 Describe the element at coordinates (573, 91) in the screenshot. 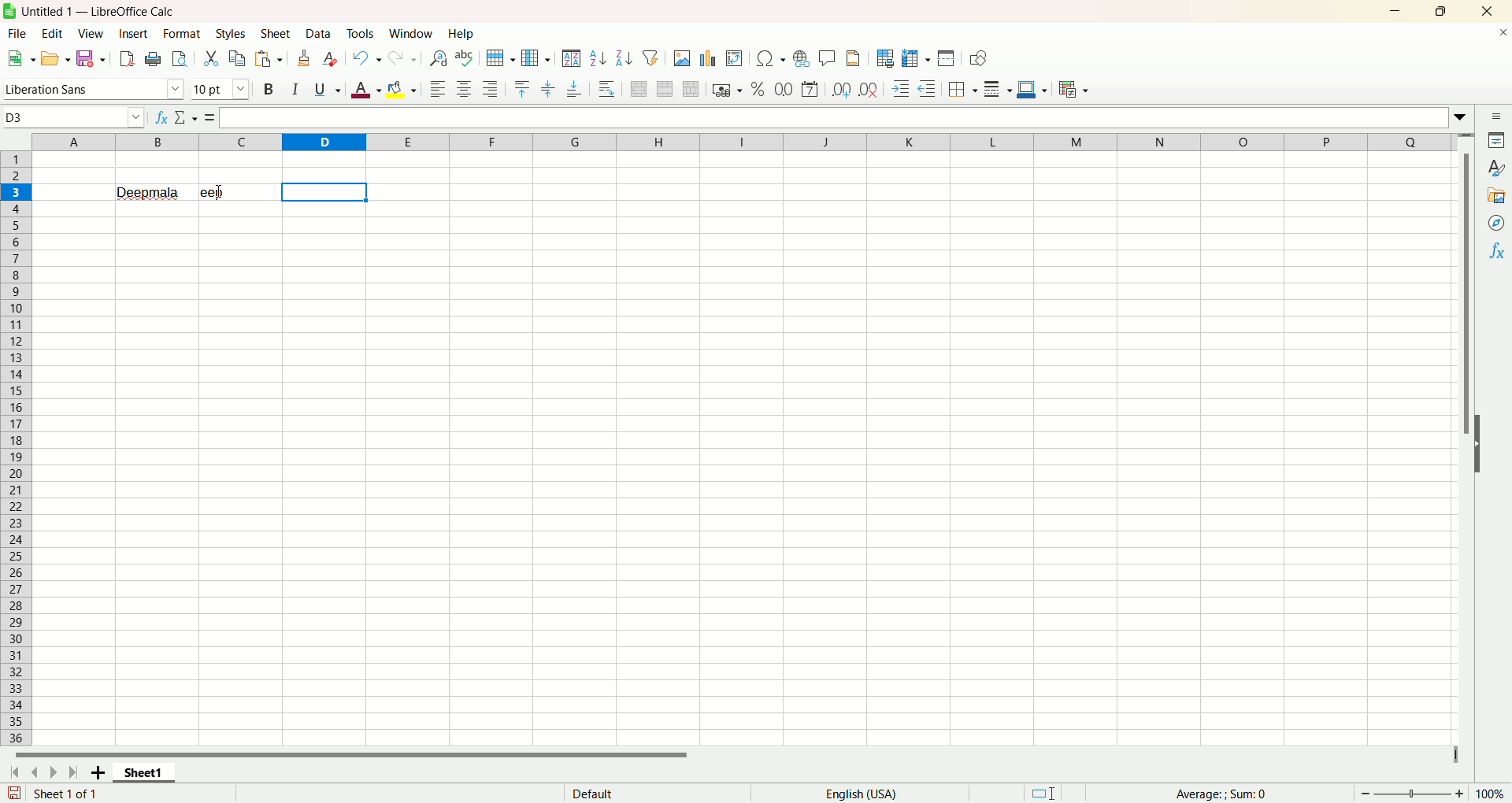

I see `Align bottom` at that location.